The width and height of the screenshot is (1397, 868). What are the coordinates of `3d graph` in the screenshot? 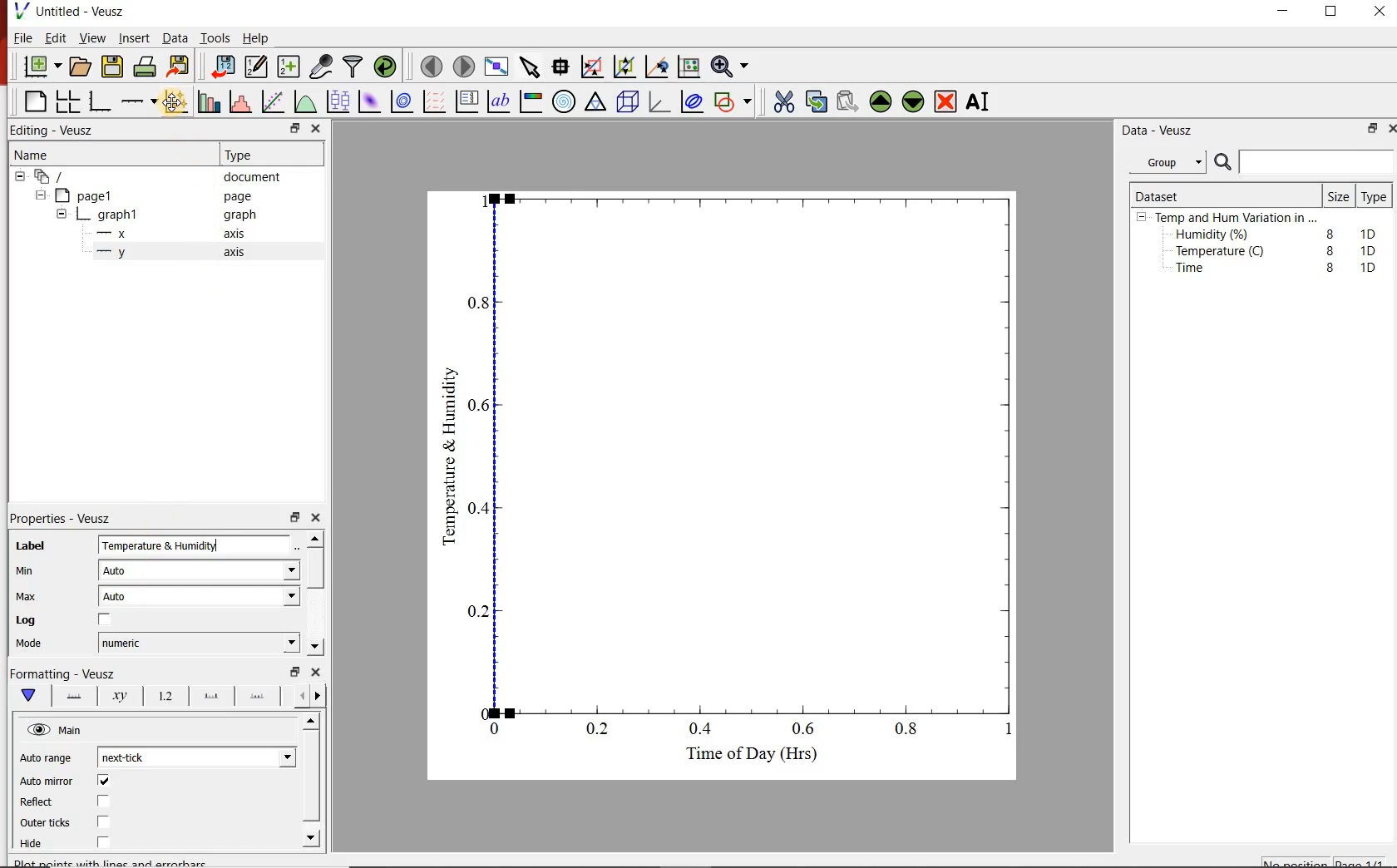 It's located at (662, 104).